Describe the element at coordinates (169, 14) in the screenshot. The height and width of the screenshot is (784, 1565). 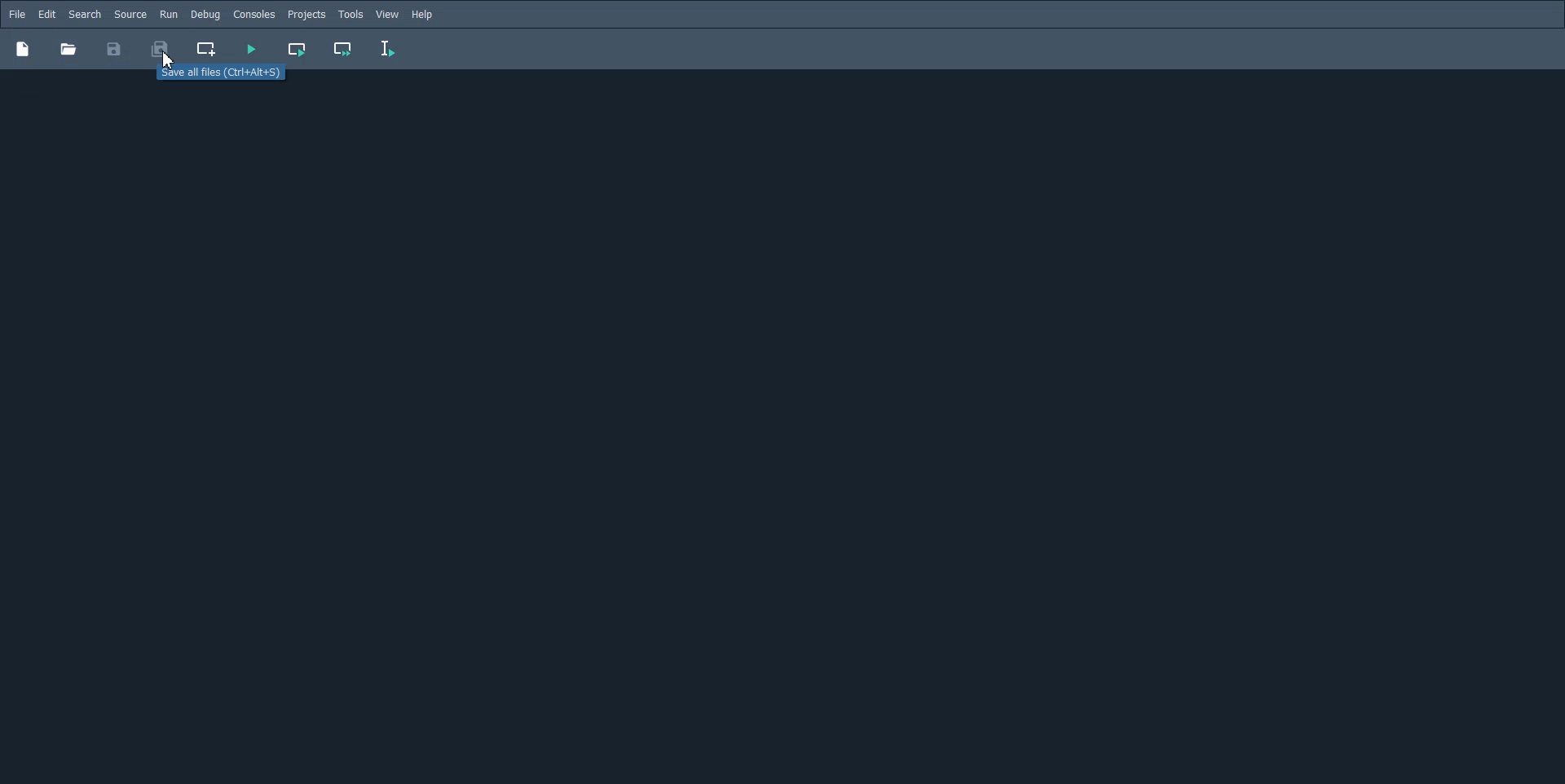
I see `Run` at that location.